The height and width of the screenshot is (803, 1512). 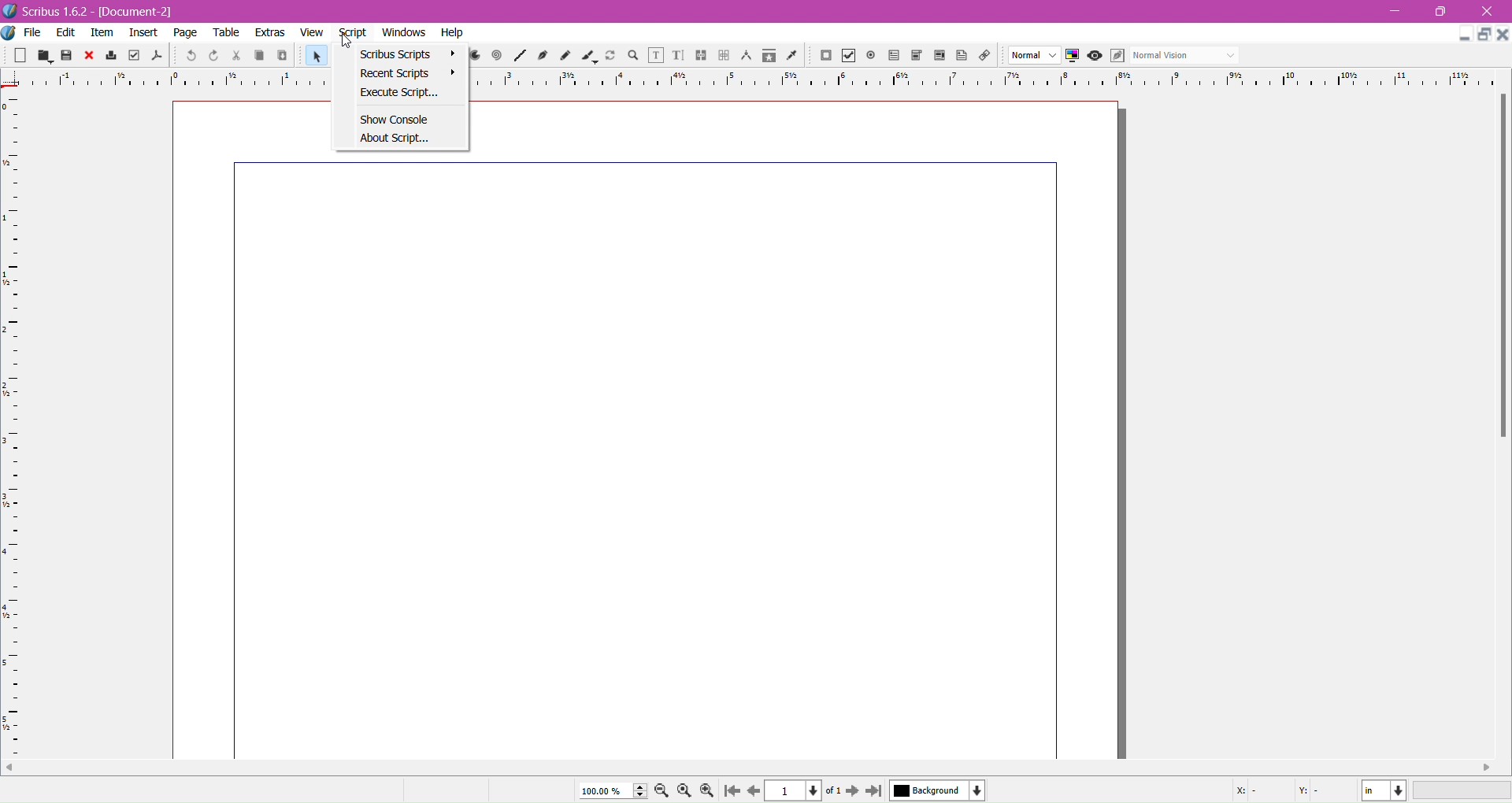 I want to click on Open, so click(x=43, y=56).